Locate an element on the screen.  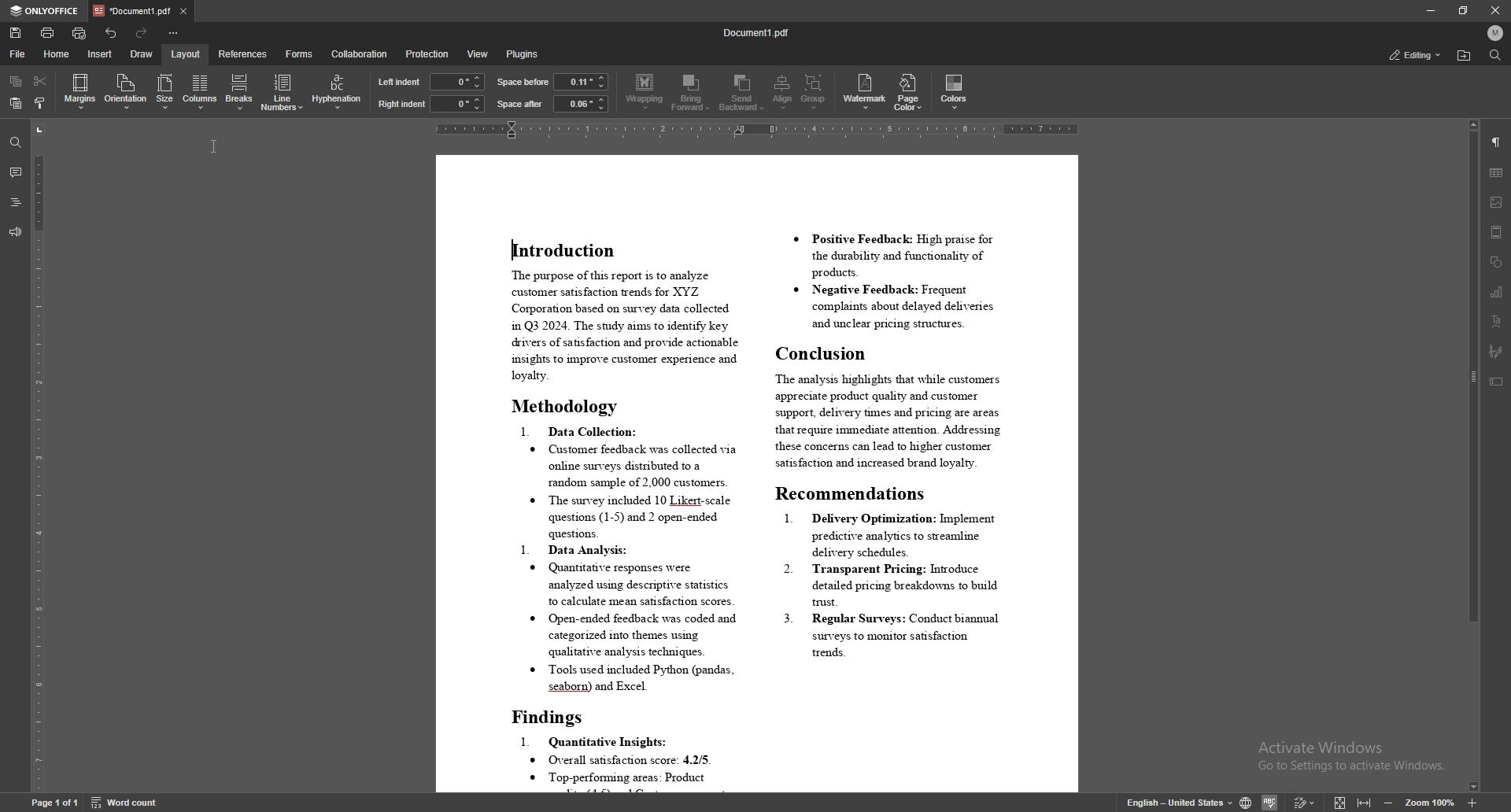
vertical scale is located at coordinates (35, 456).